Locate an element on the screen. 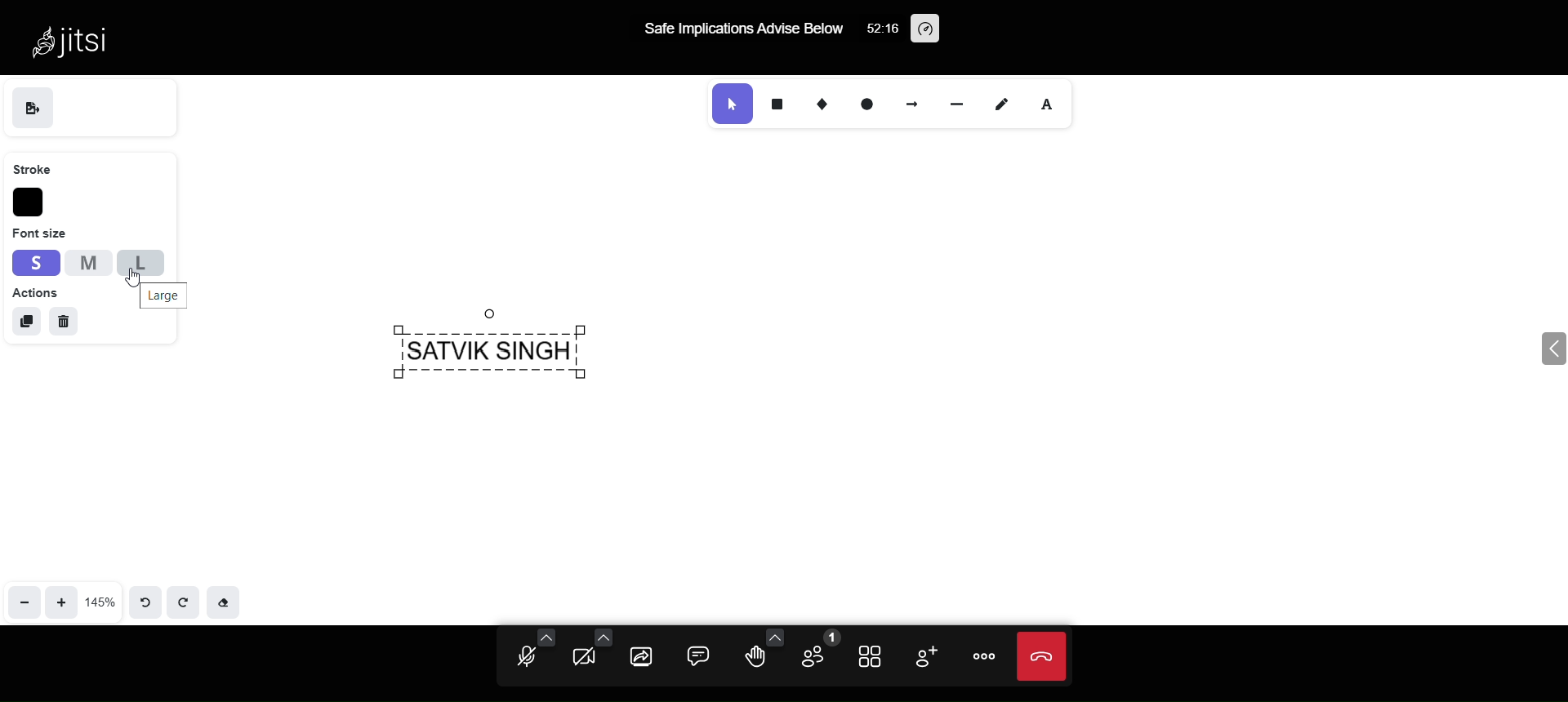 The image size is (1568, 702). end call is located at coordinates (1039, 659).